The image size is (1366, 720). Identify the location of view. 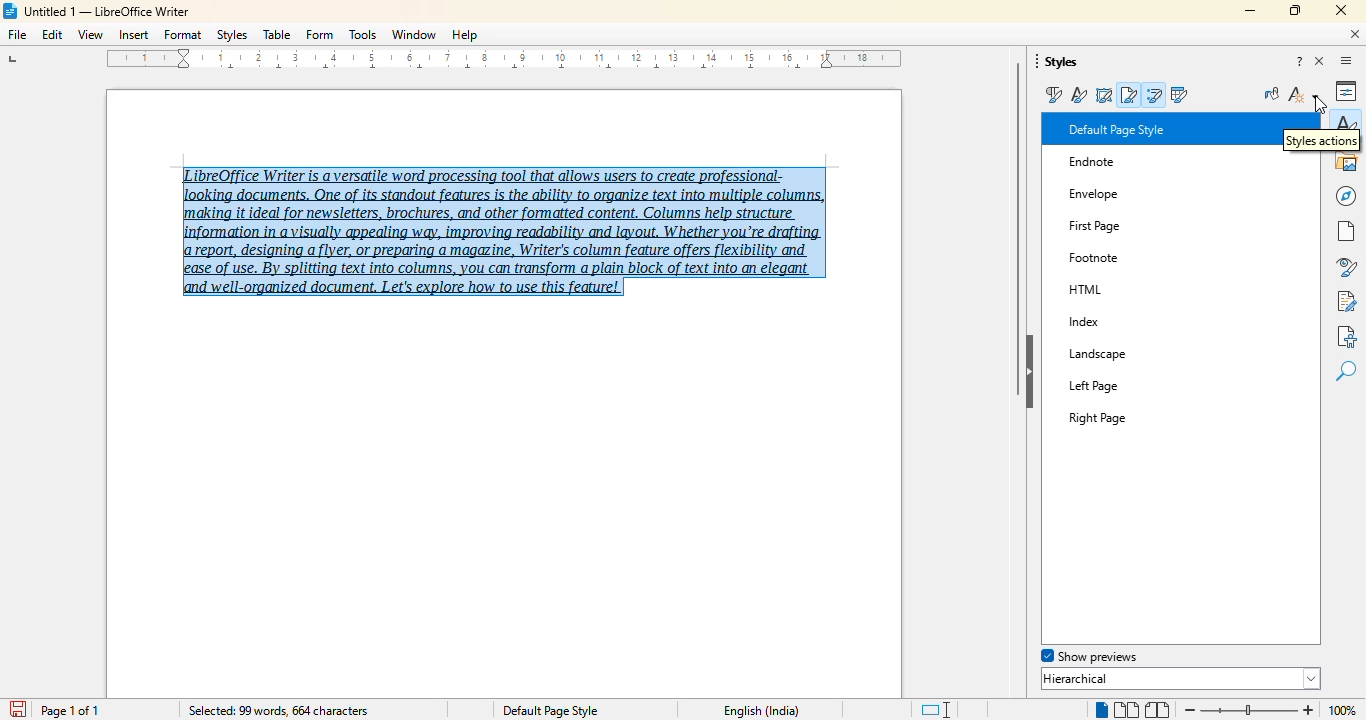
(90, 34).